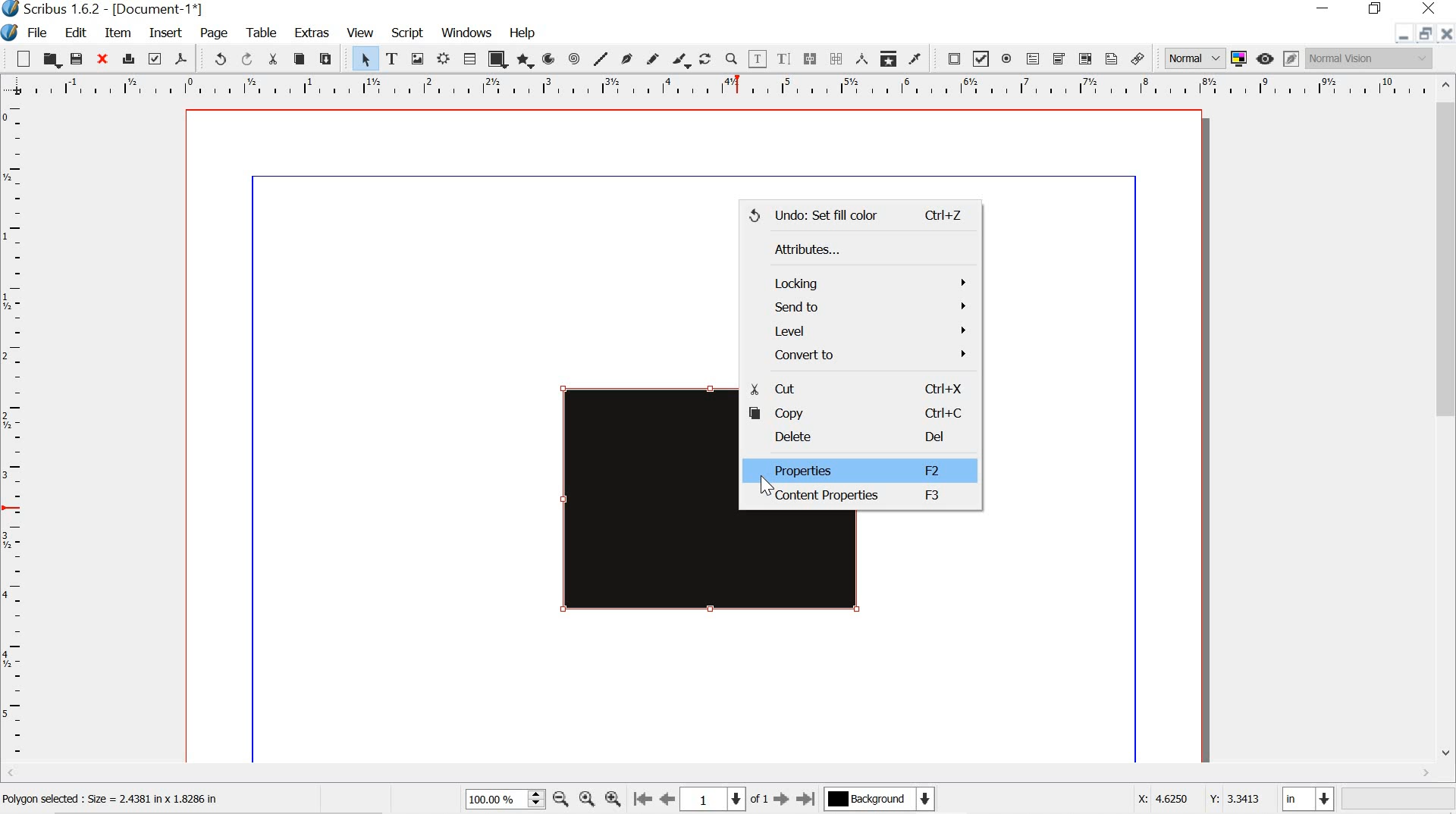 This screenshot has height=814, width=1456. I want to click on restore down, so click(1377, 9).